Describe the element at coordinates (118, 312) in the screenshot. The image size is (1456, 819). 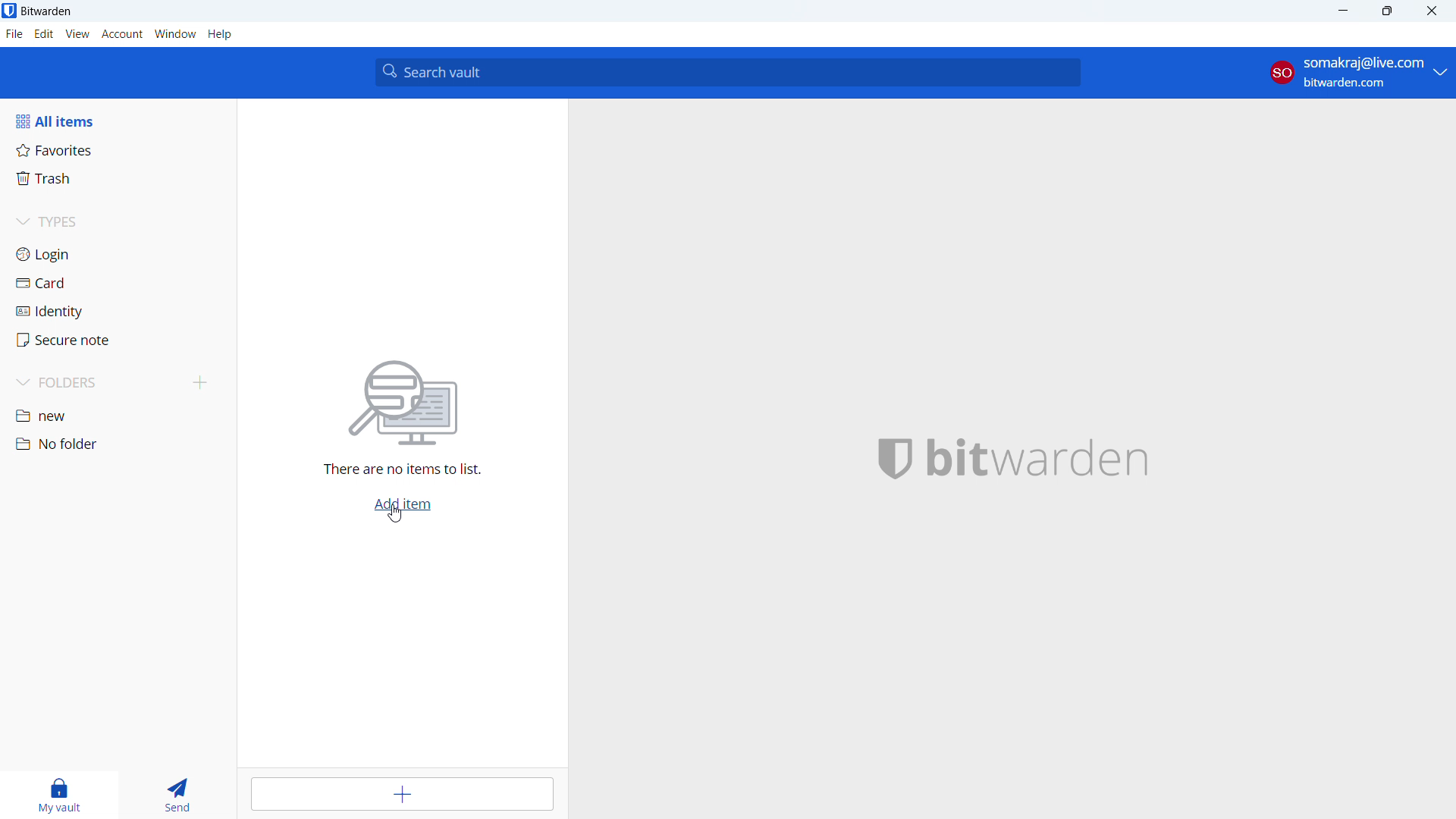
I see `identity` at that location.